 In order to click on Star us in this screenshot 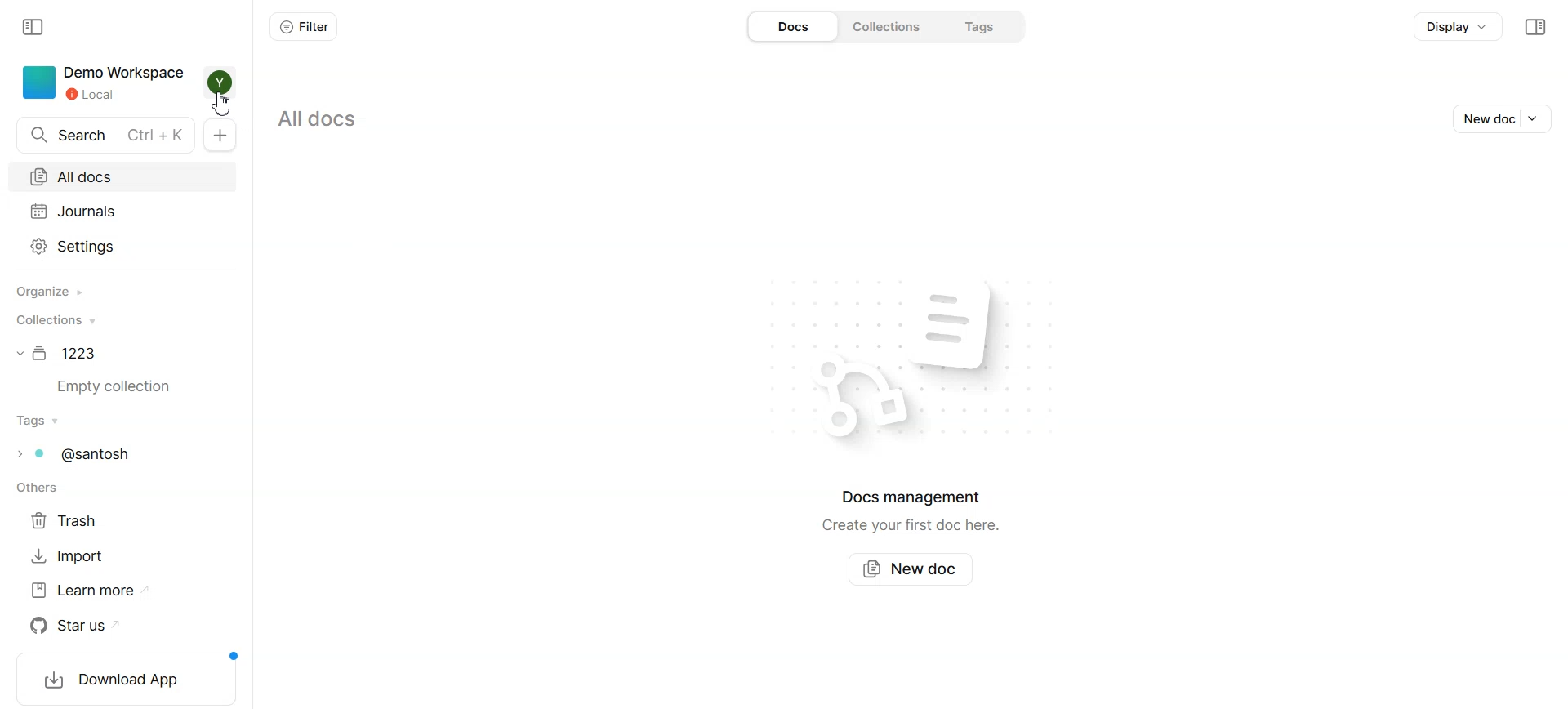, I will do `click(91, 626)`.